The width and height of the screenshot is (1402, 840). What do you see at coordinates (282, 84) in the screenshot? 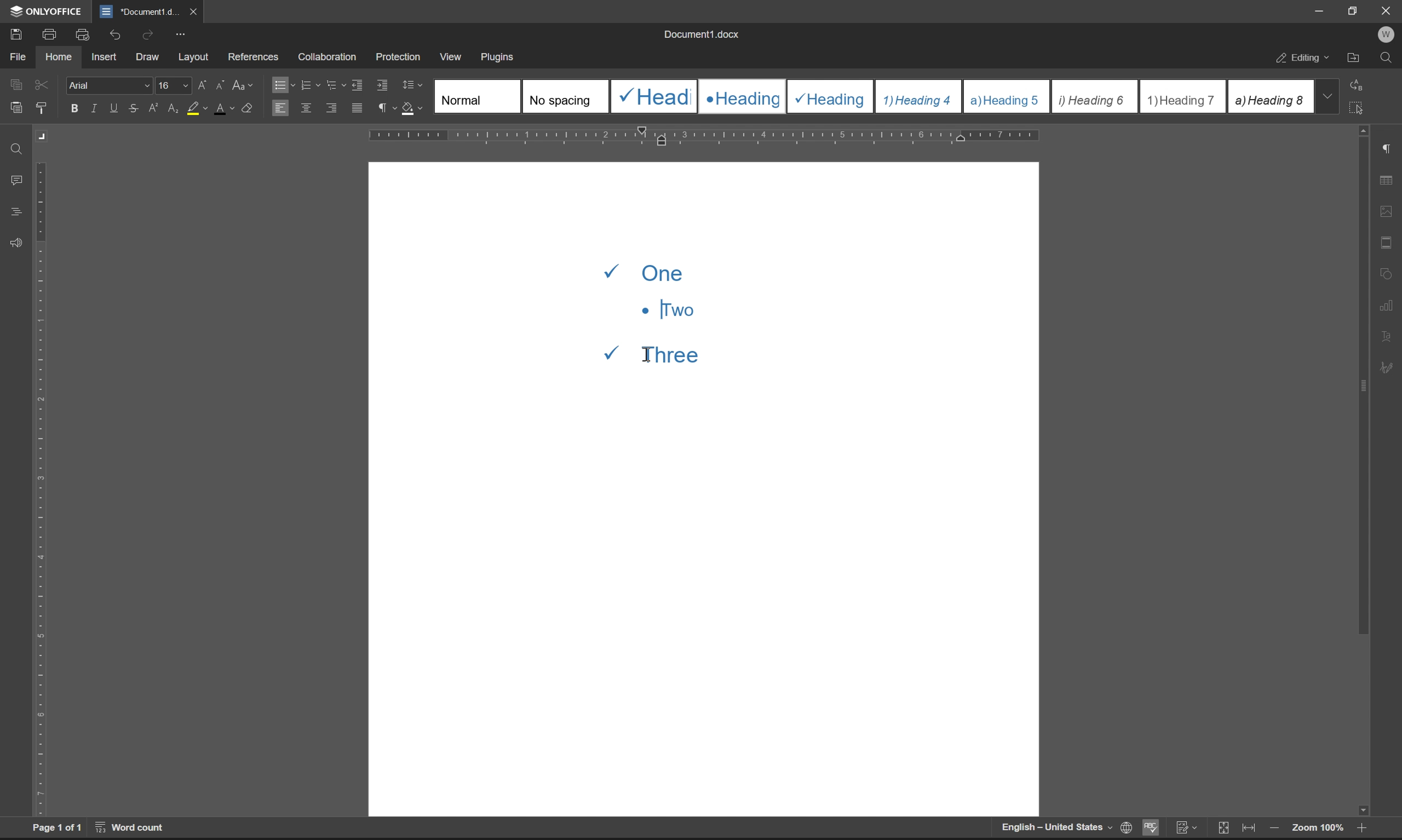
I see `bullets` at bounding box center [282, 84].